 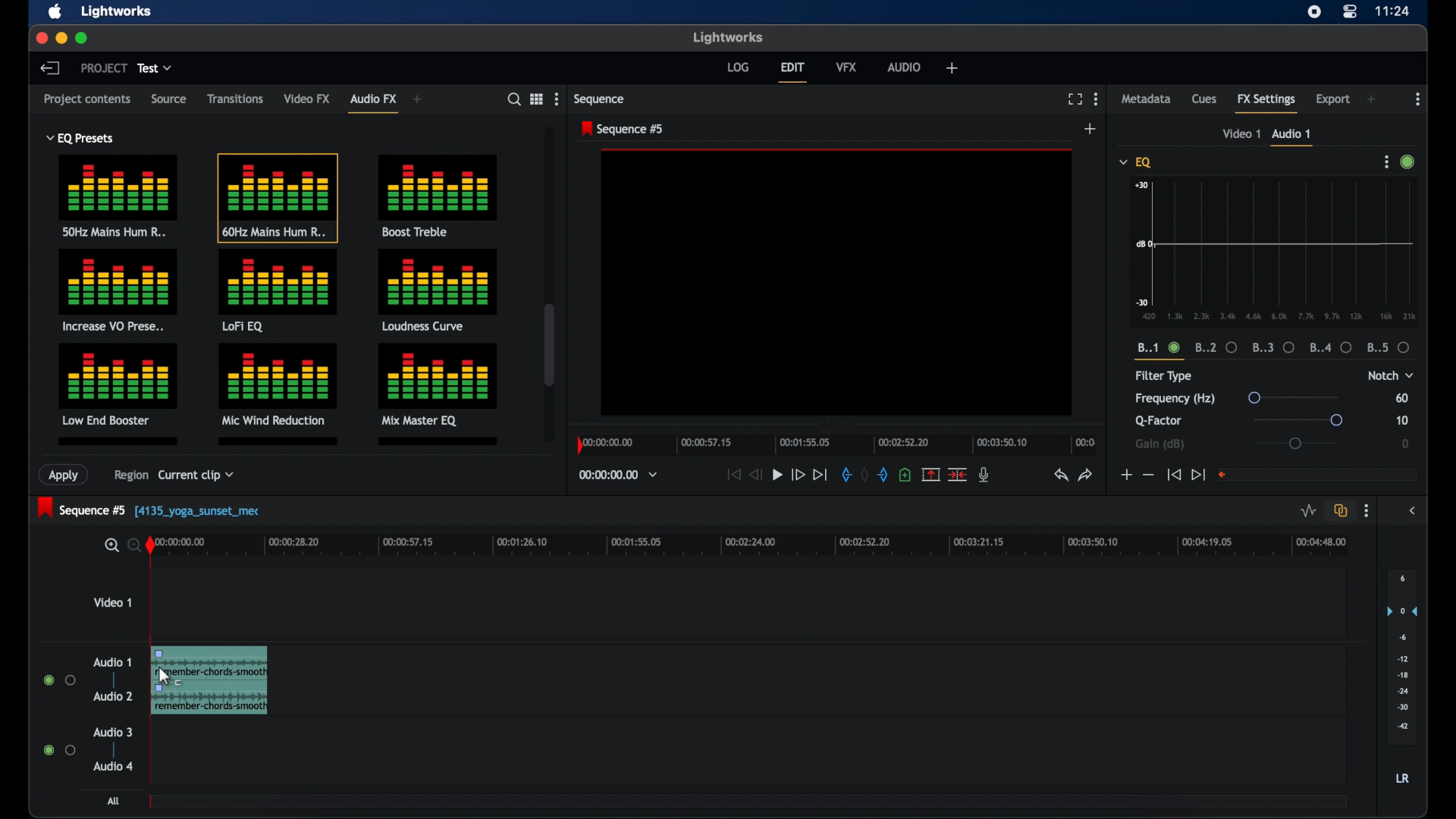 I want to click on out mark, so click(x=883, y=475).